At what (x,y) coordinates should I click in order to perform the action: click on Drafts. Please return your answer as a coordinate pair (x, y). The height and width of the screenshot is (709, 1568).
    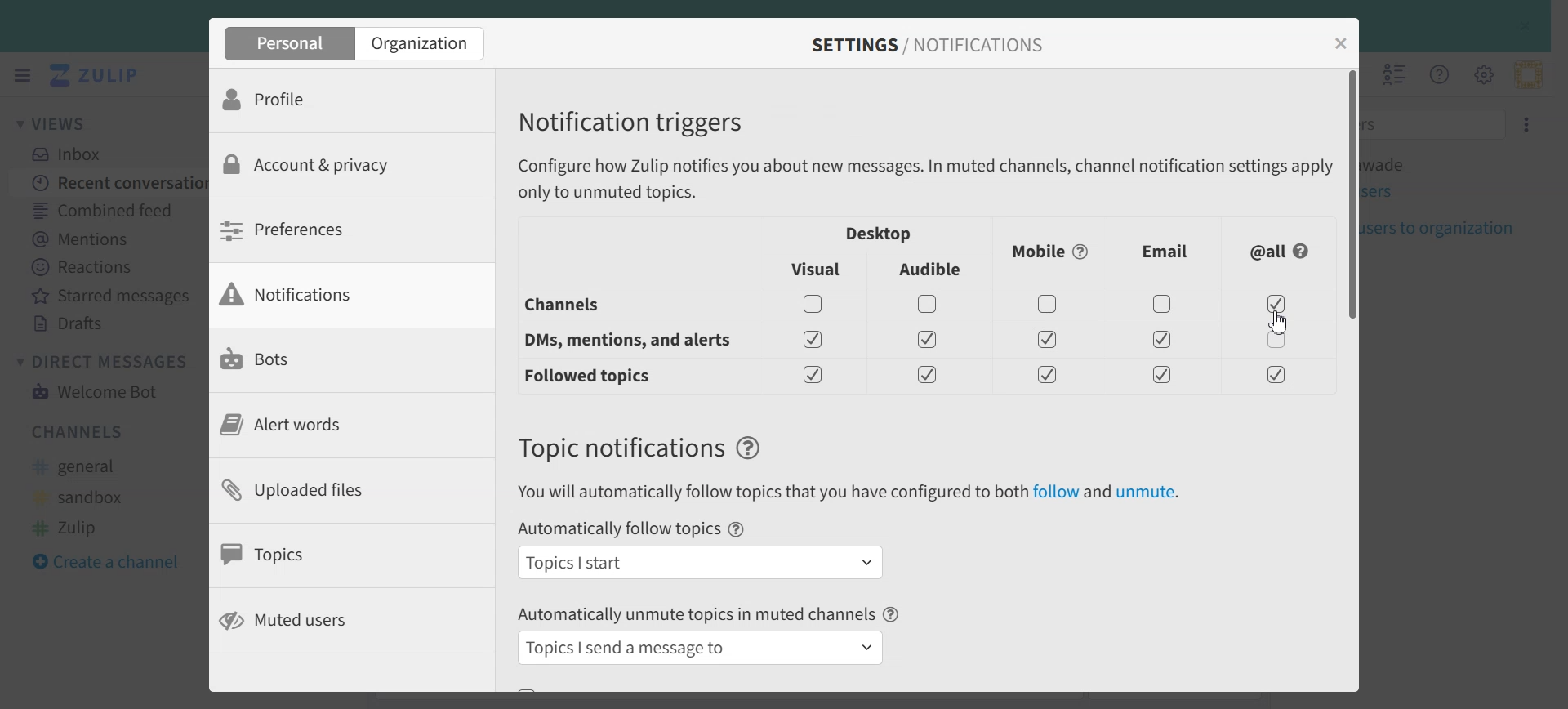
    Looking at the image, I should click on (109, 323).